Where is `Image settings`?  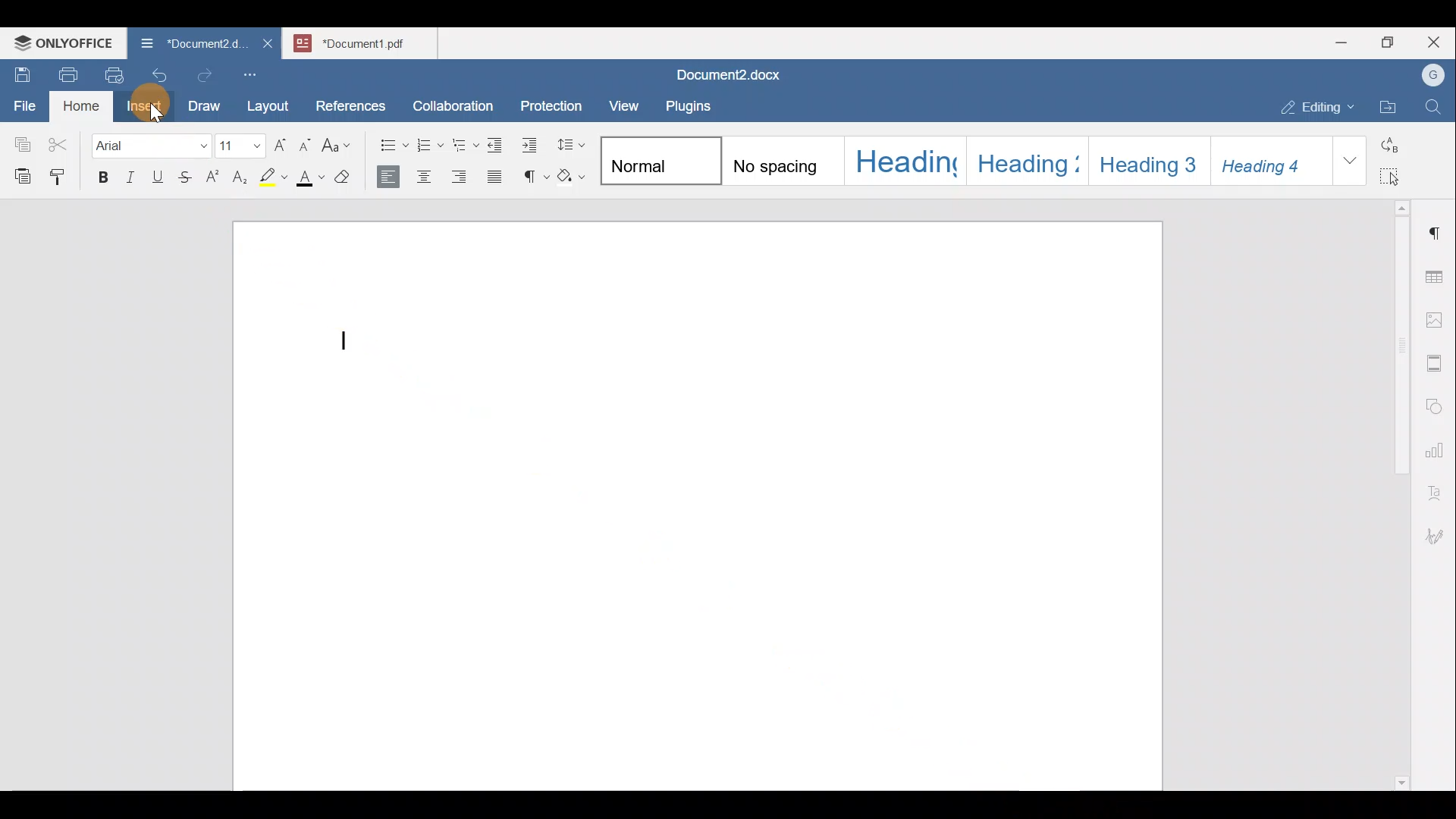 Image settings is located at coordinates (1437, 318).